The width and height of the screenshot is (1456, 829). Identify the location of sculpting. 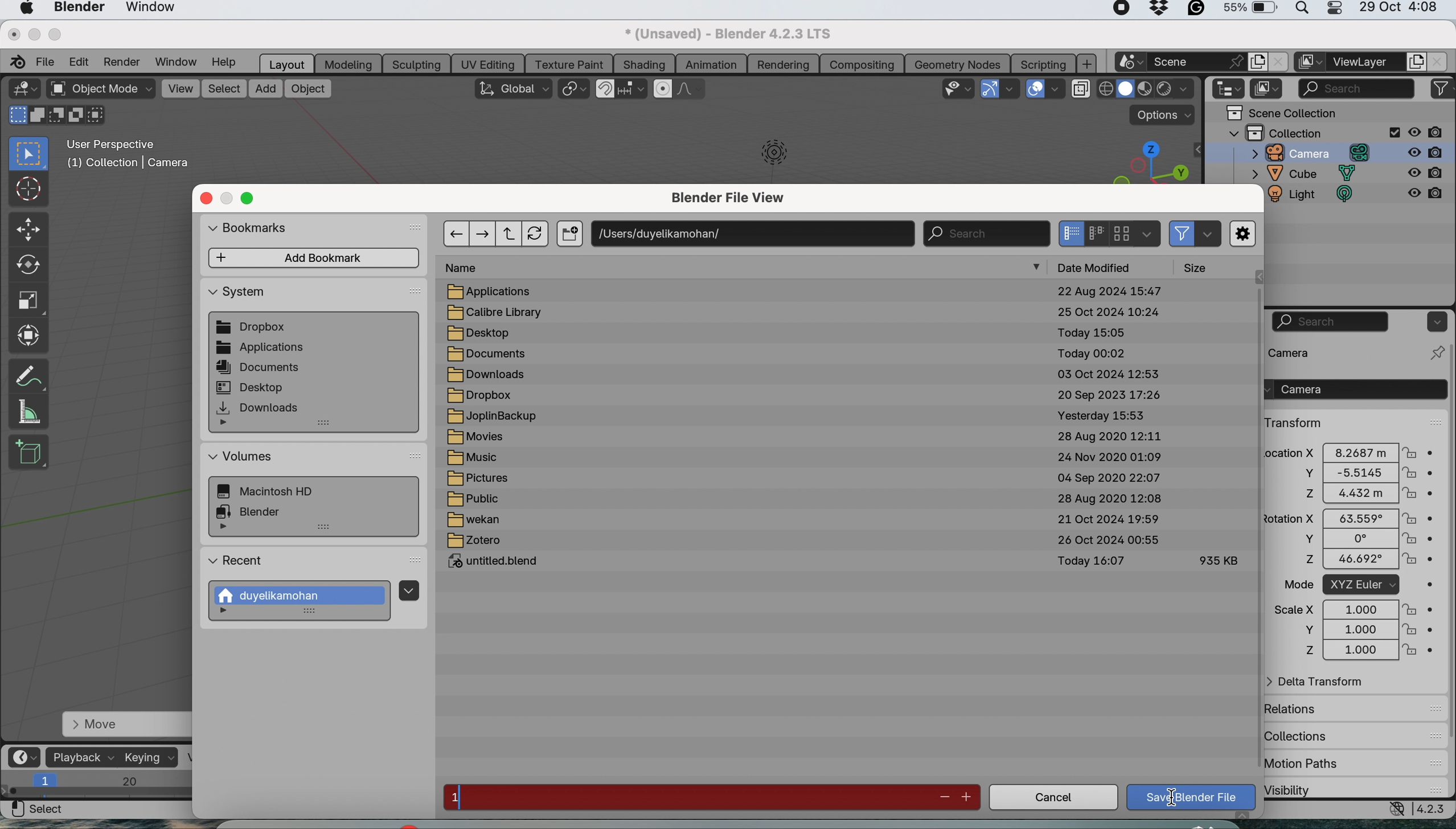
(416, 64).